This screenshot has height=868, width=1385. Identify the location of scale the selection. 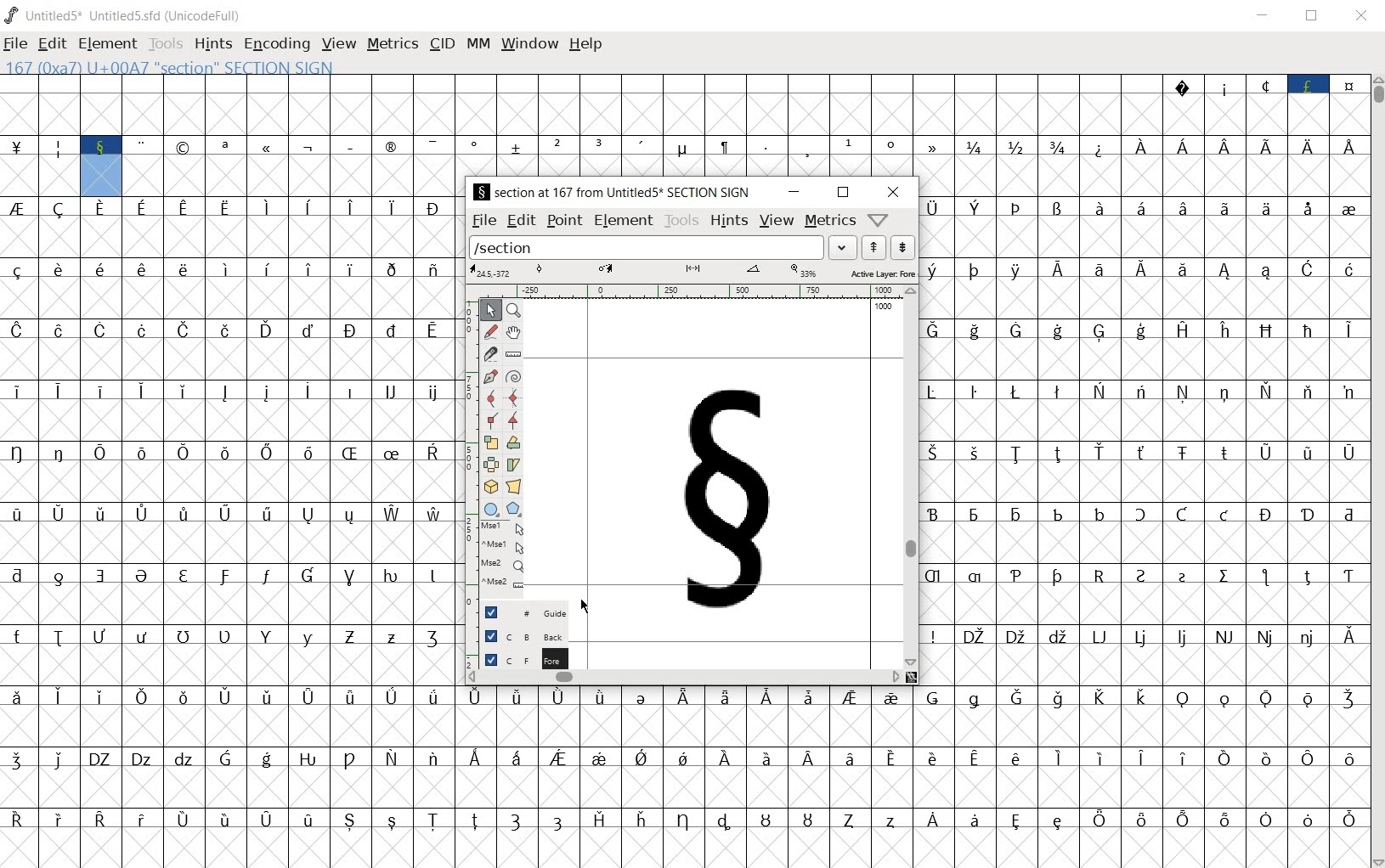
(491, 442).